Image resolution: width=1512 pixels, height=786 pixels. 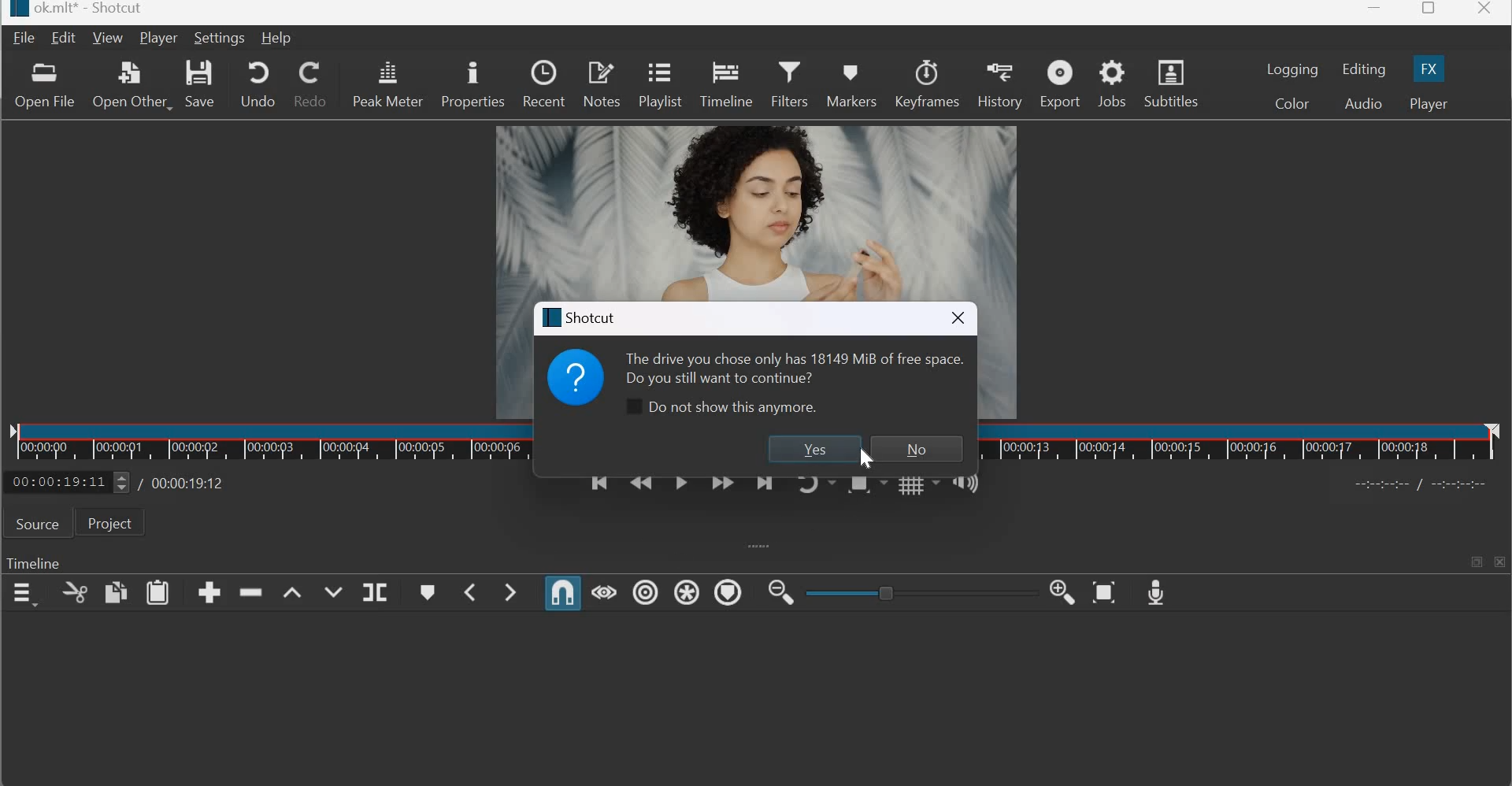 I want to click on Previous Marker, so click(x=471, y=592).